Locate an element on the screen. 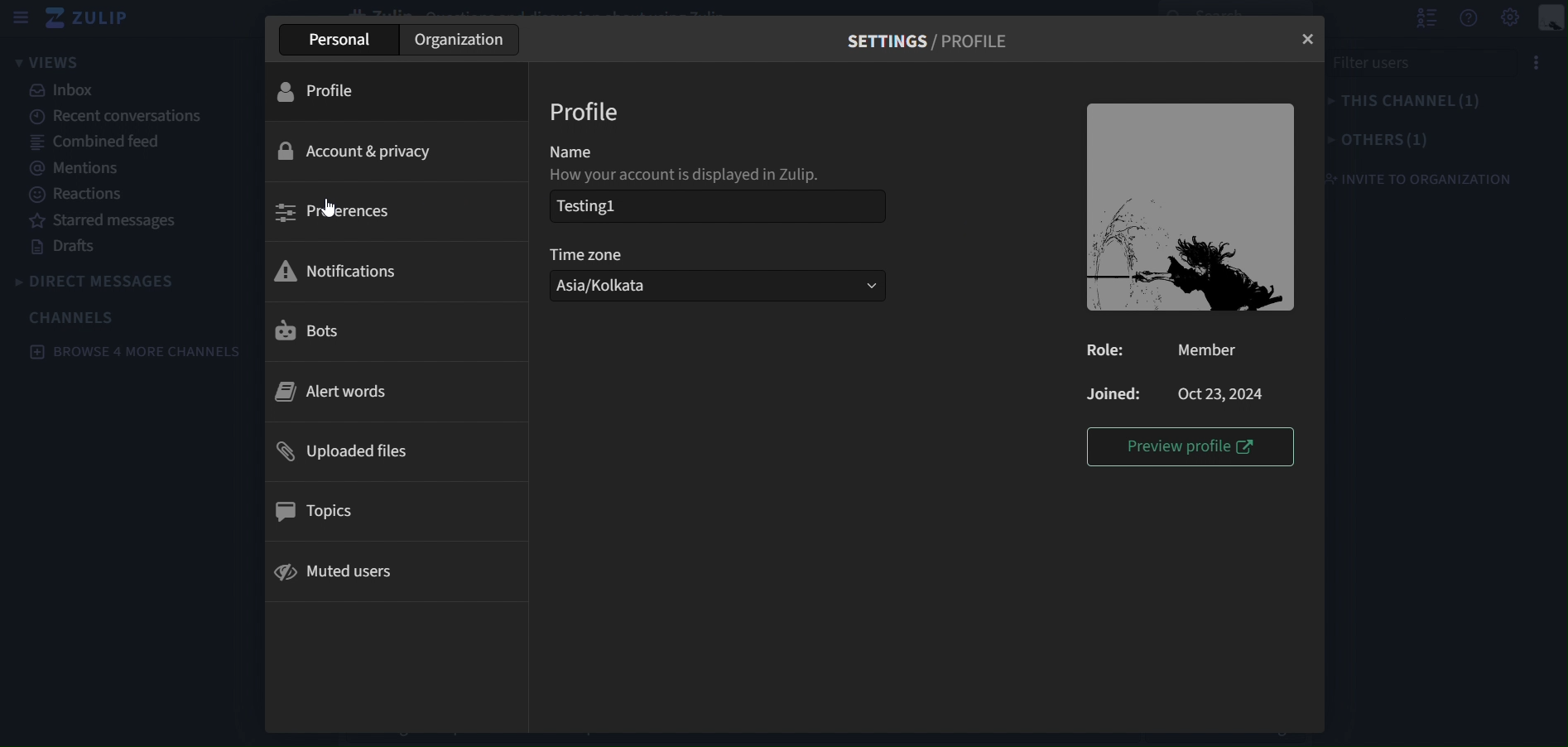  muted users is located at coordinates (400, 569).